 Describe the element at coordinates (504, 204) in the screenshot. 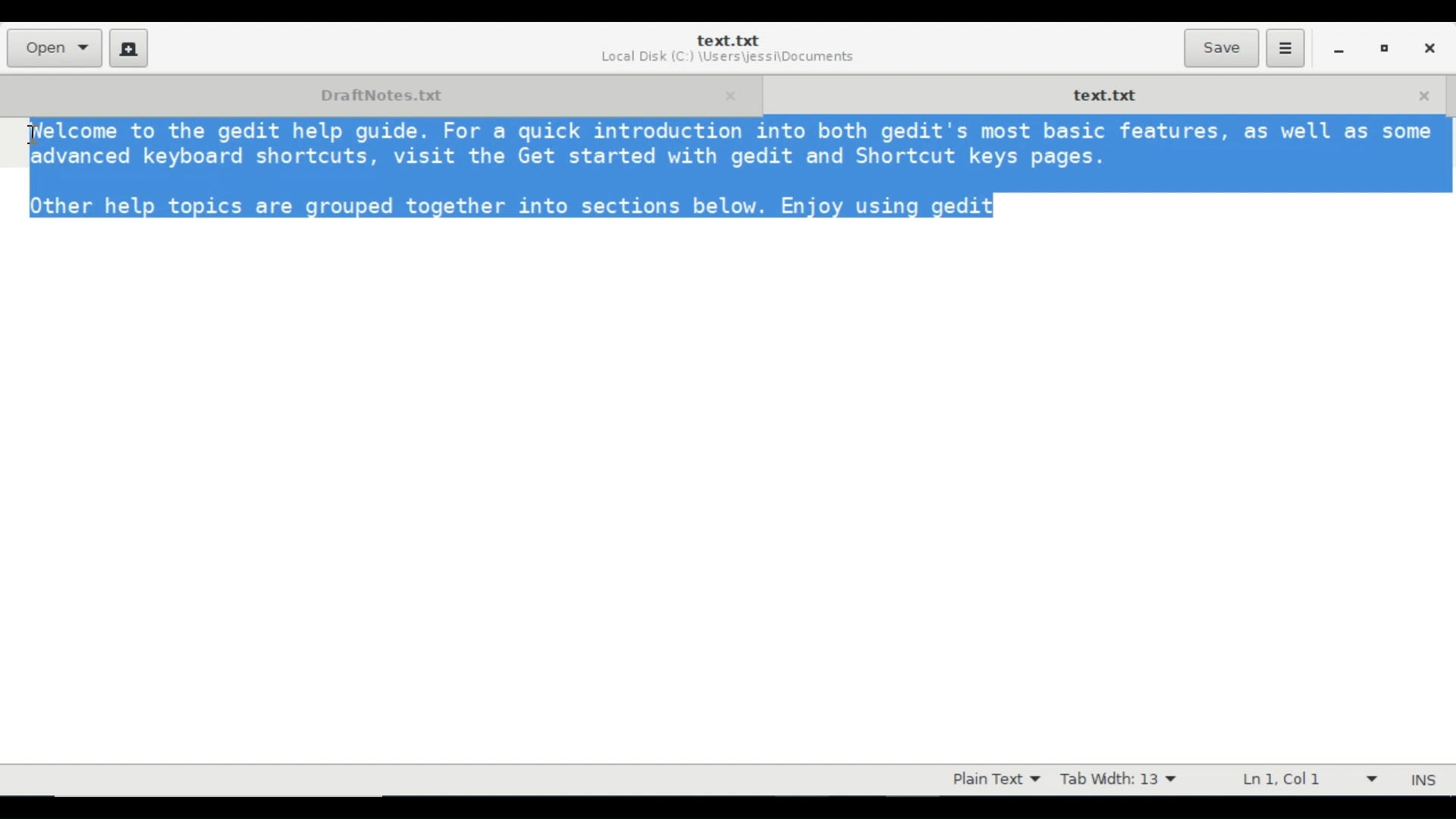

I see `Mother help topics are grouped together into sections below. Enjoy using gedit]` at that location.